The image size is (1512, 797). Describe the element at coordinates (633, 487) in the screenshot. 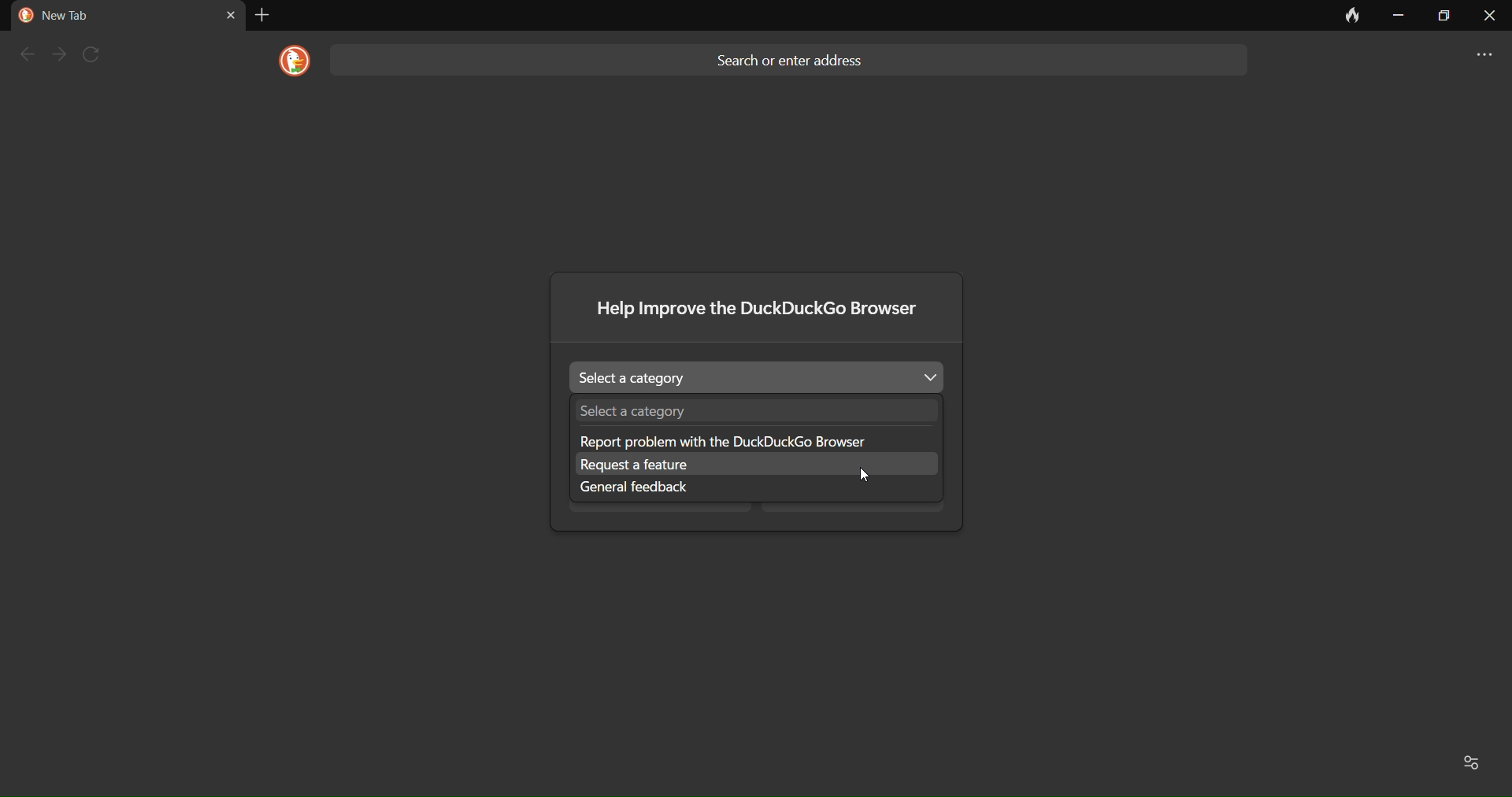

I see `general feedback` at that location.